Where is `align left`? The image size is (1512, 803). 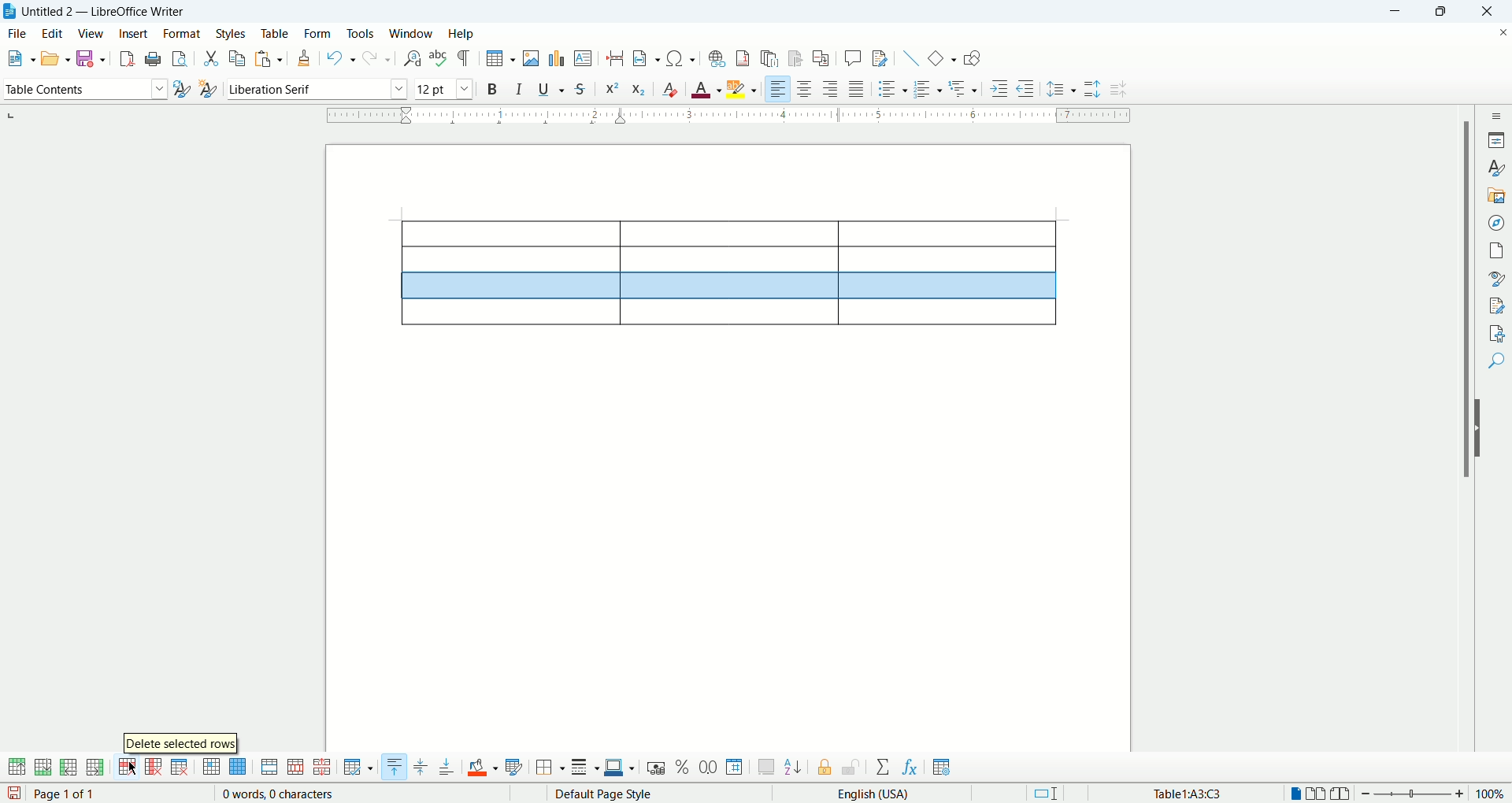
align left is located at coordinates (779, 87).